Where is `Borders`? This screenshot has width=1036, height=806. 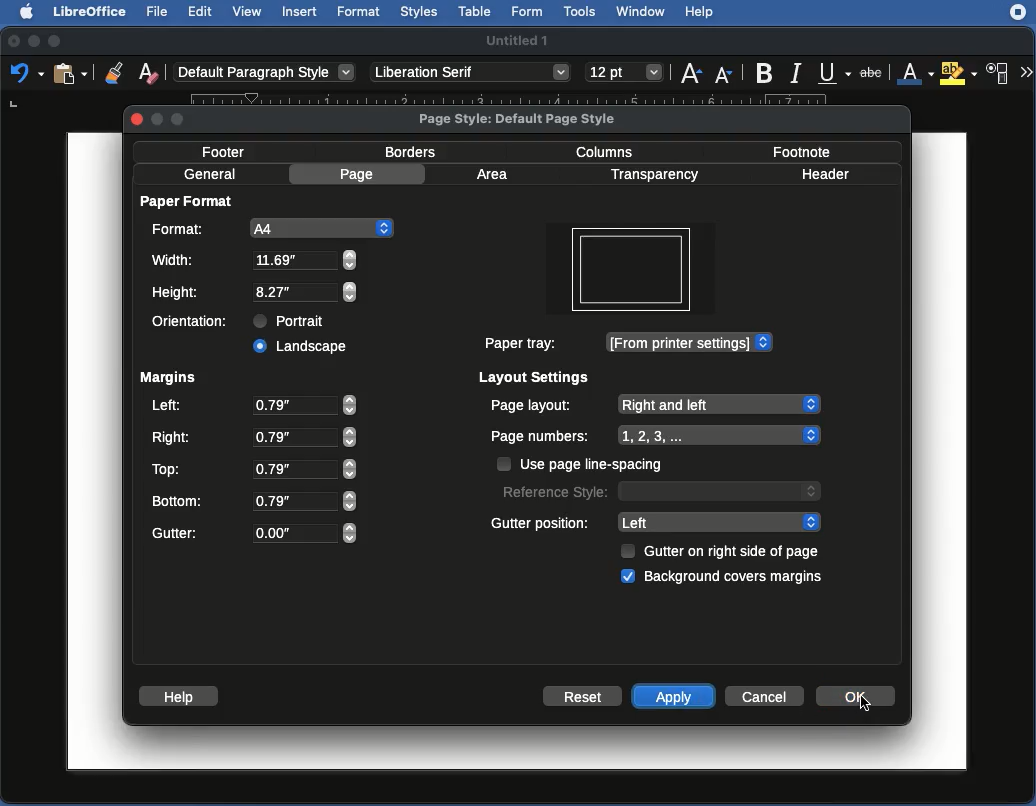 Borders is located at coordinates (418, 154).